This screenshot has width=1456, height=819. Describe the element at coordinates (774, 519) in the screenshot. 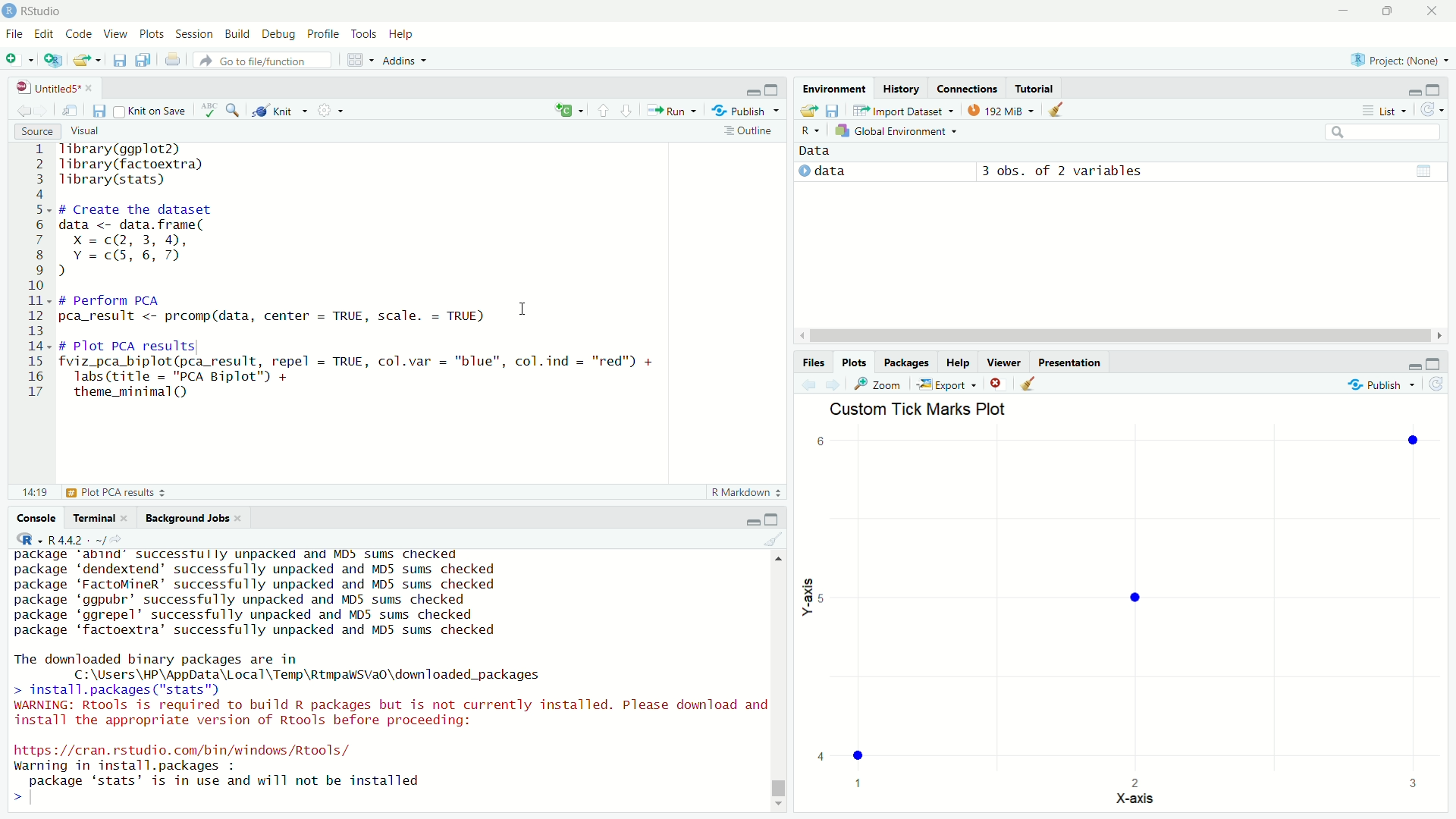

I see `maximize` at that location.